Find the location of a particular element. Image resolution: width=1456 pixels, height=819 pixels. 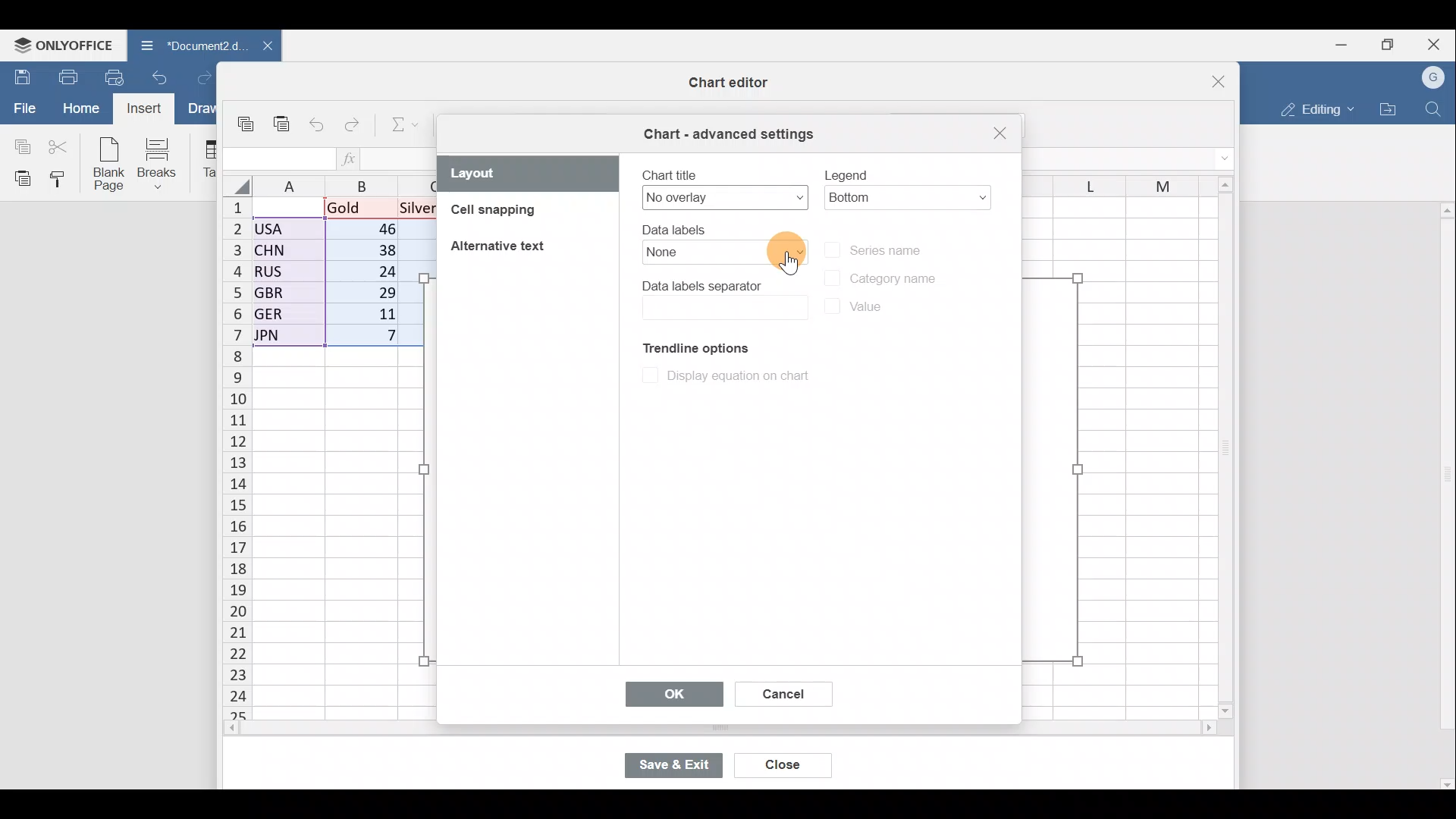

Account name is located at coordinates (1434, 78).